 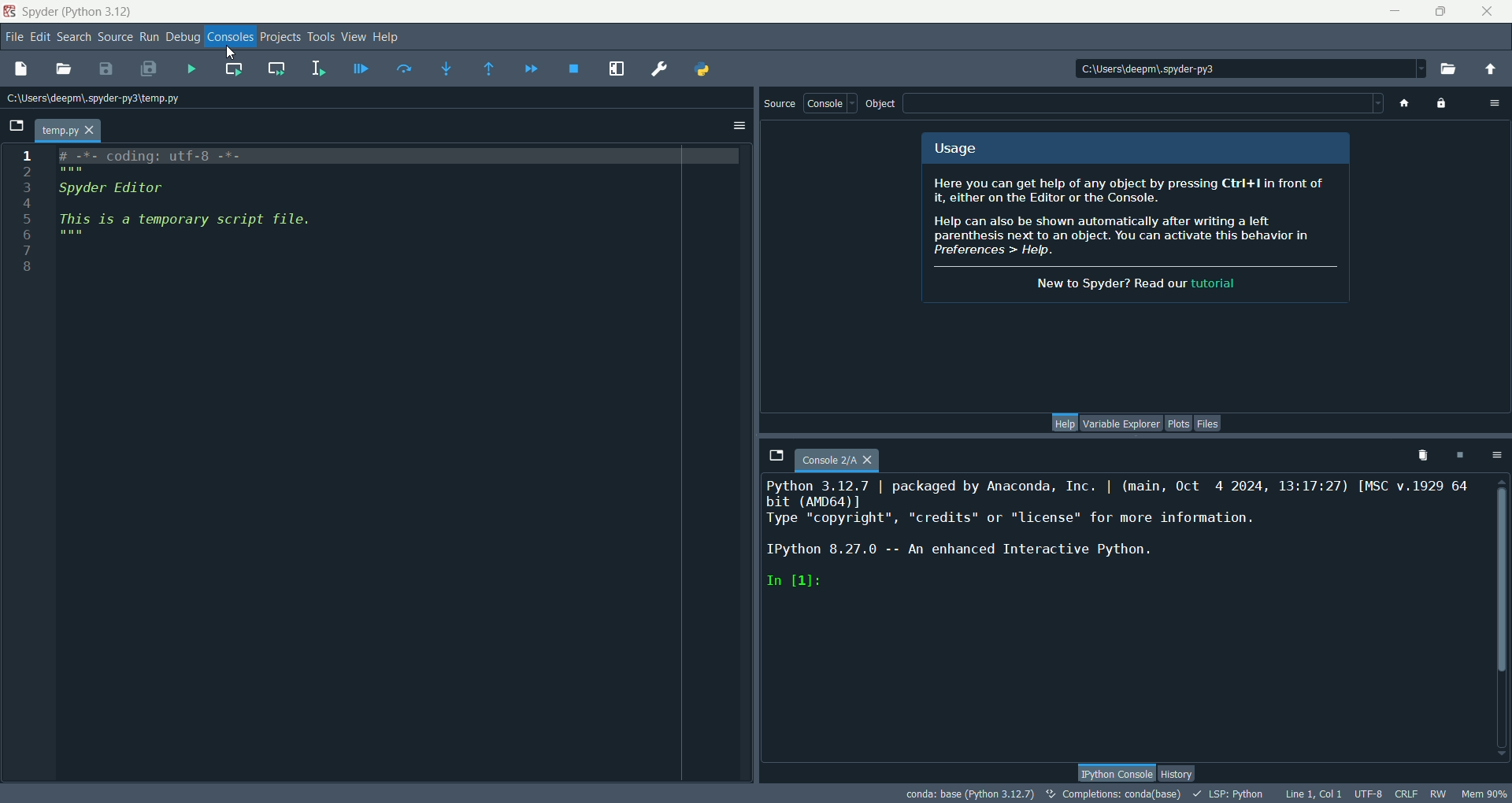 I want to click on info about spyder, so click(x=1136, y=235).